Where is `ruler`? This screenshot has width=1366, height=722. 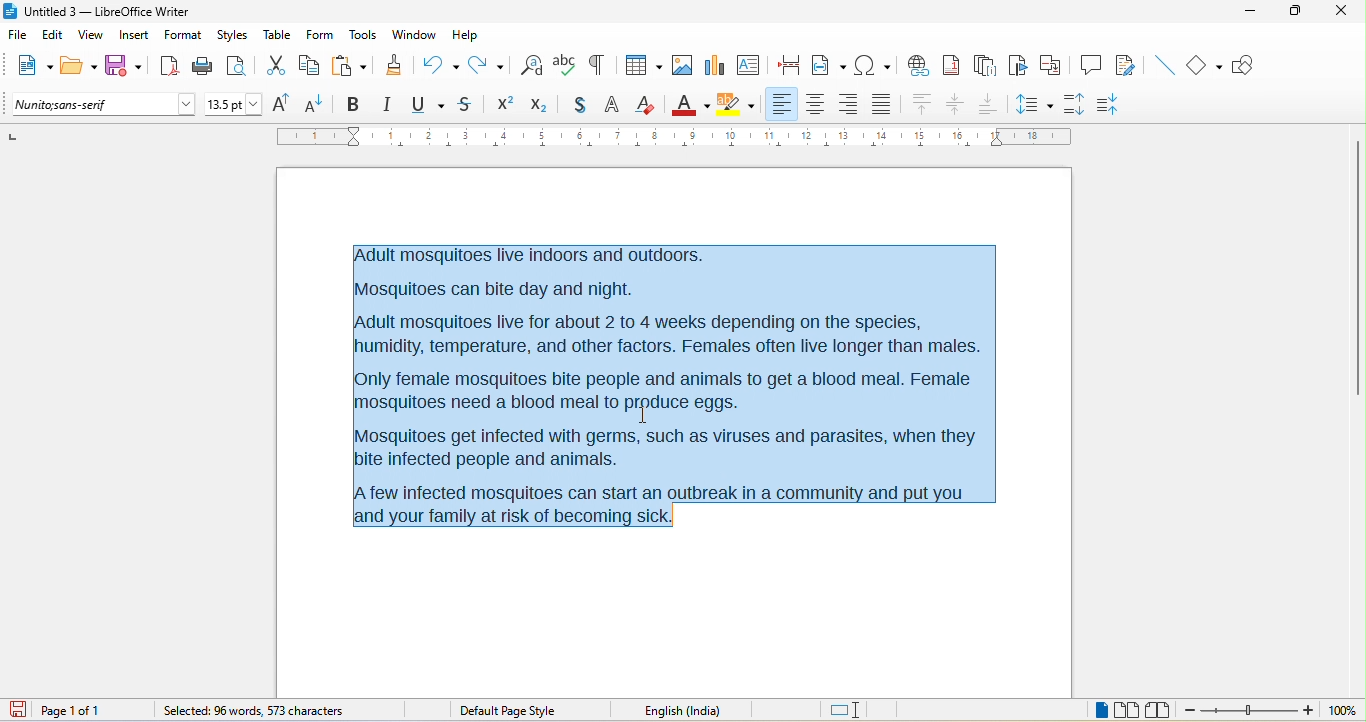 ruler is located at coordinates (673, 137).